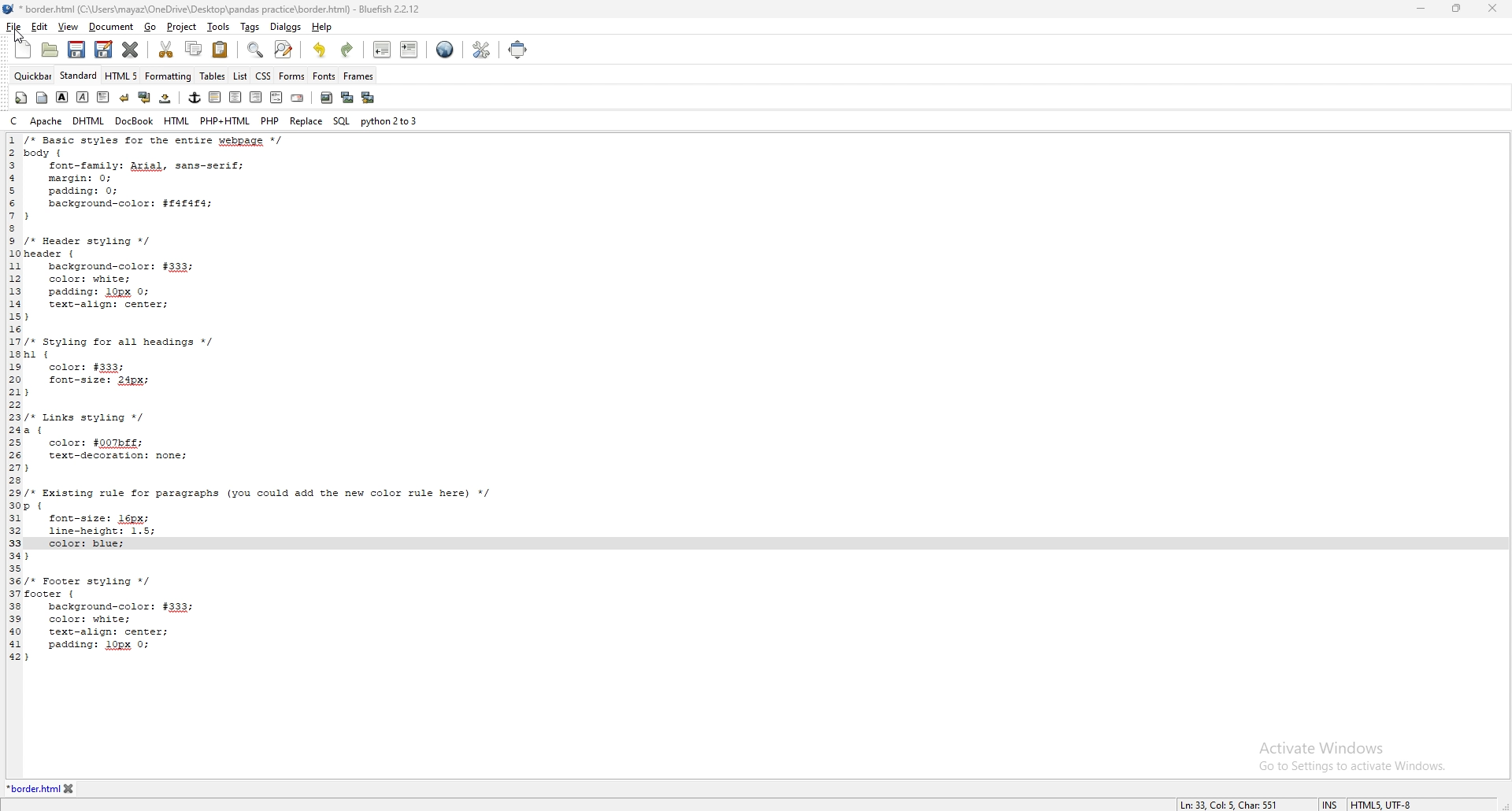  I want to click on project, so click(183, 27).